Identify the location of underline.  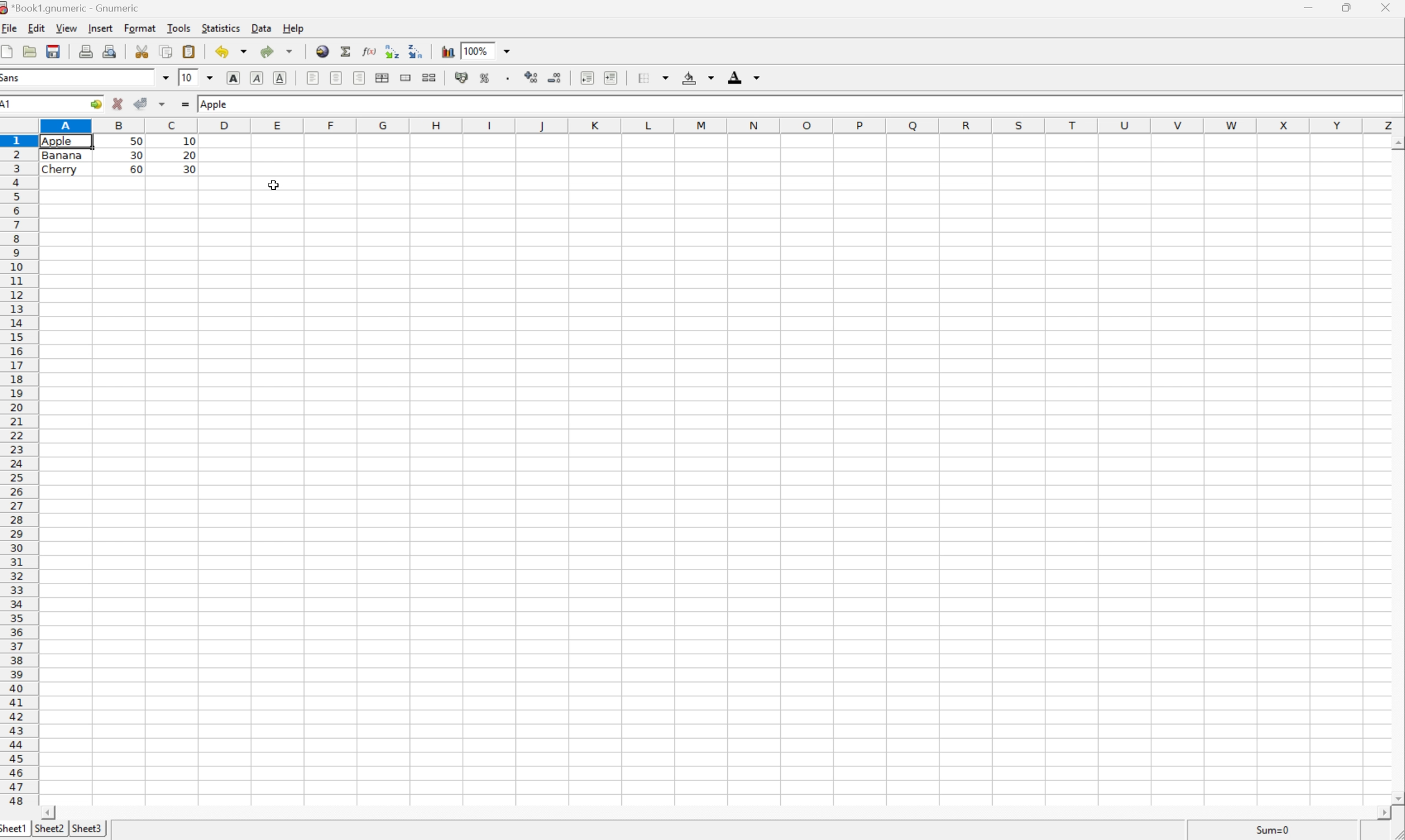
(282, 78).